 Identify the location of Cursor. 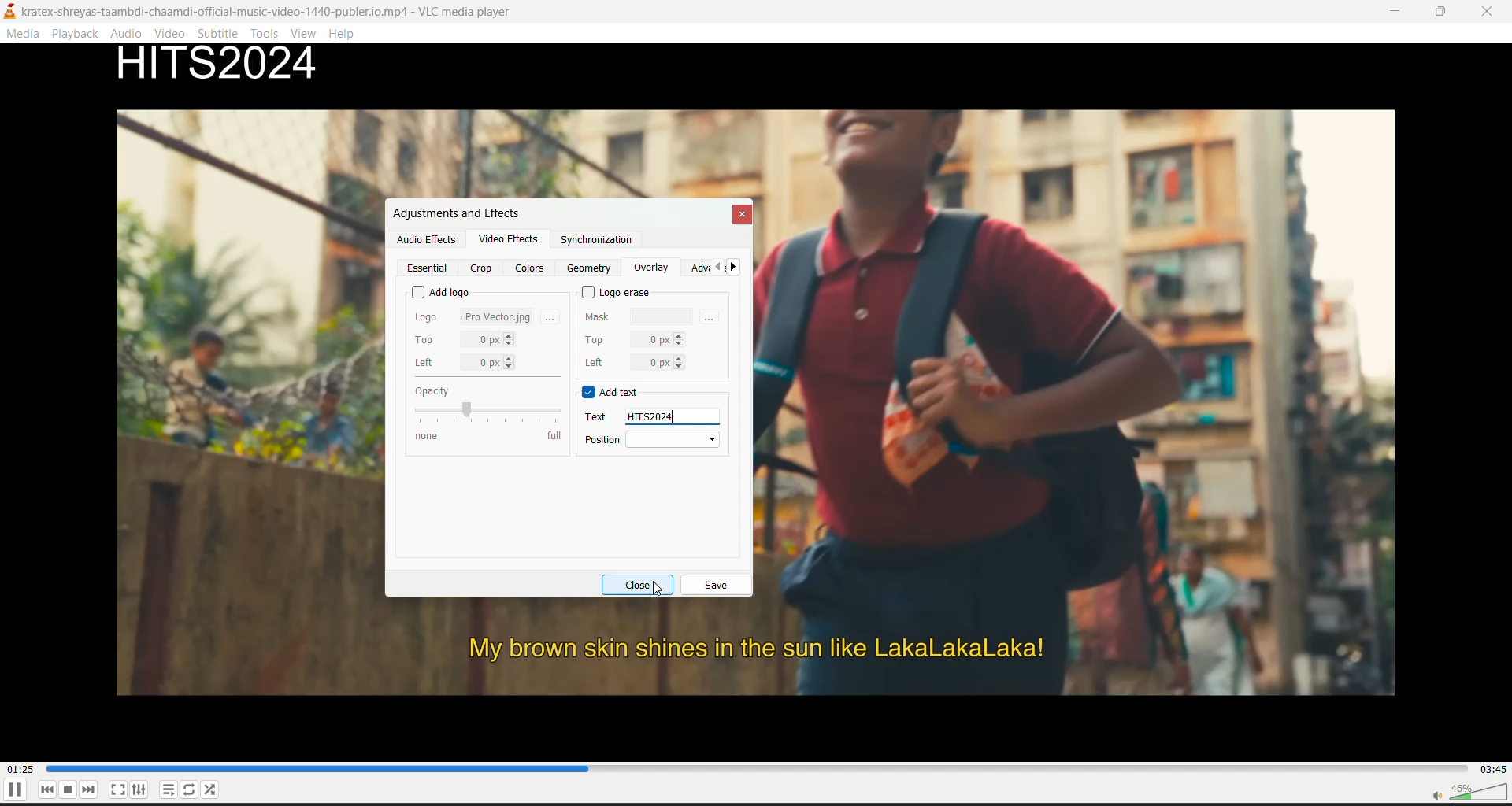
(659, 590).